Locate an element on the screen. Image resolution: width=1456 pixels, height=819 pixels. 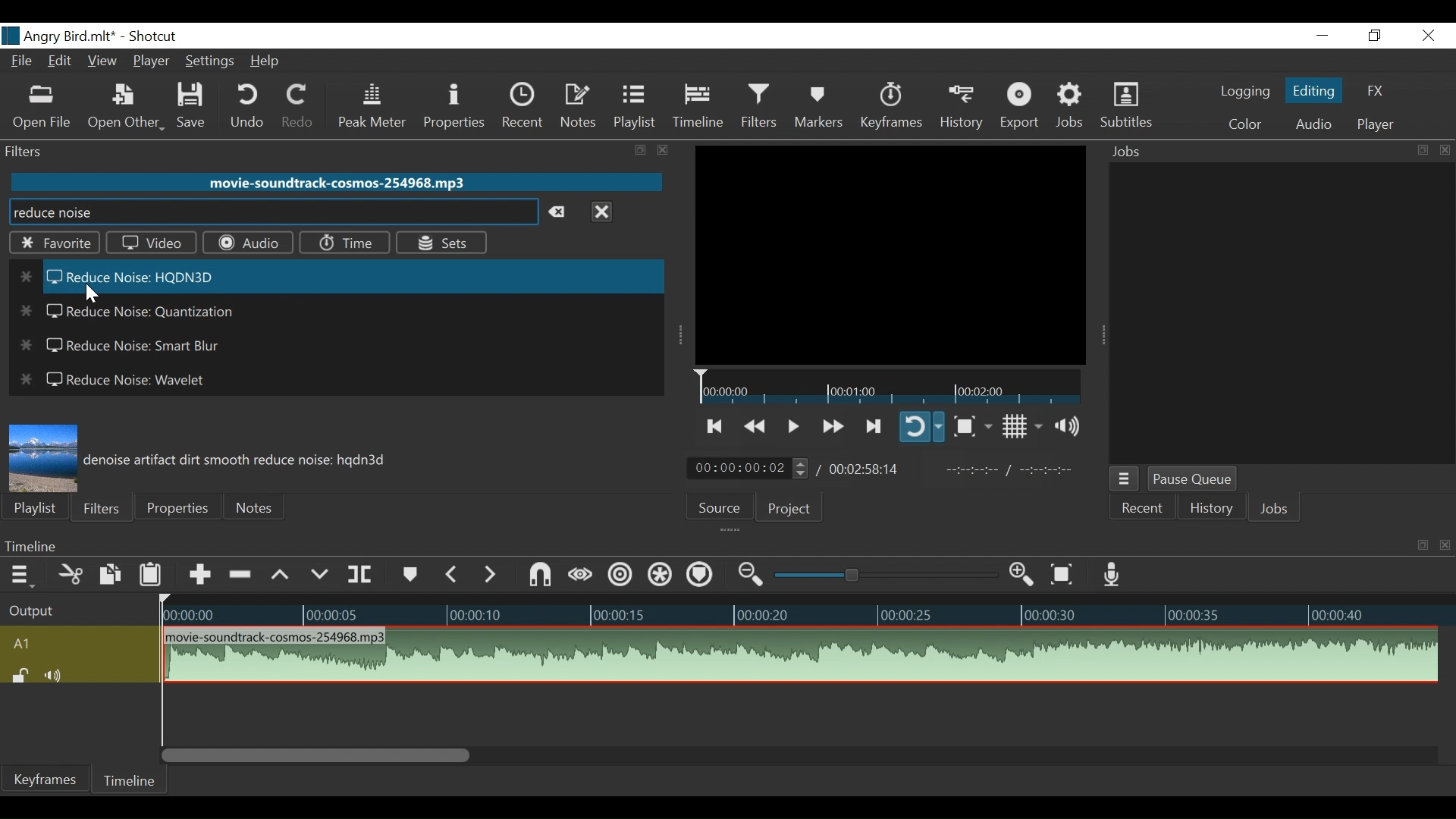
Audio track clip is located at coordinates (799, 655).